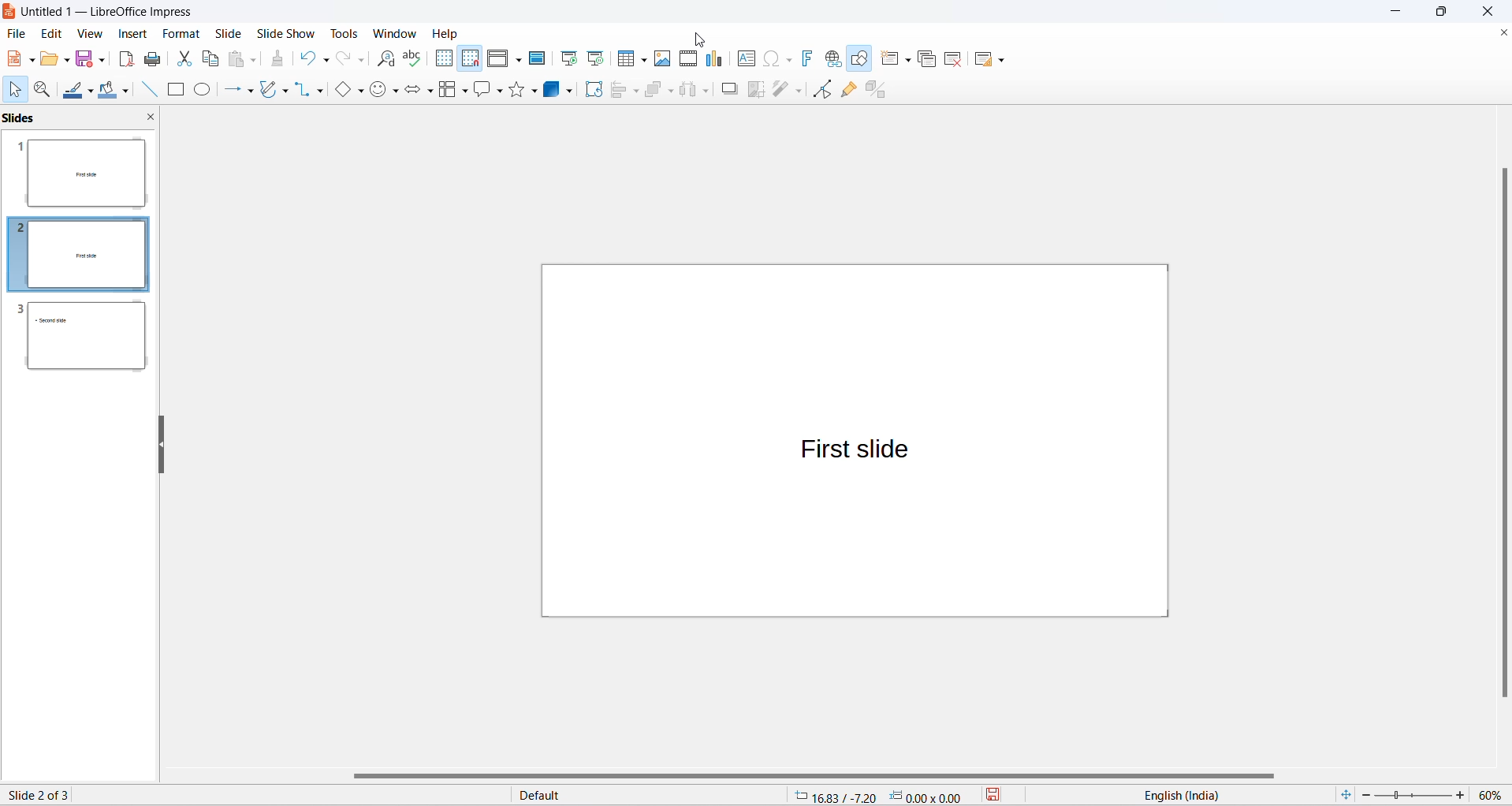  I want to click on show draw functions, so click(859, 58).